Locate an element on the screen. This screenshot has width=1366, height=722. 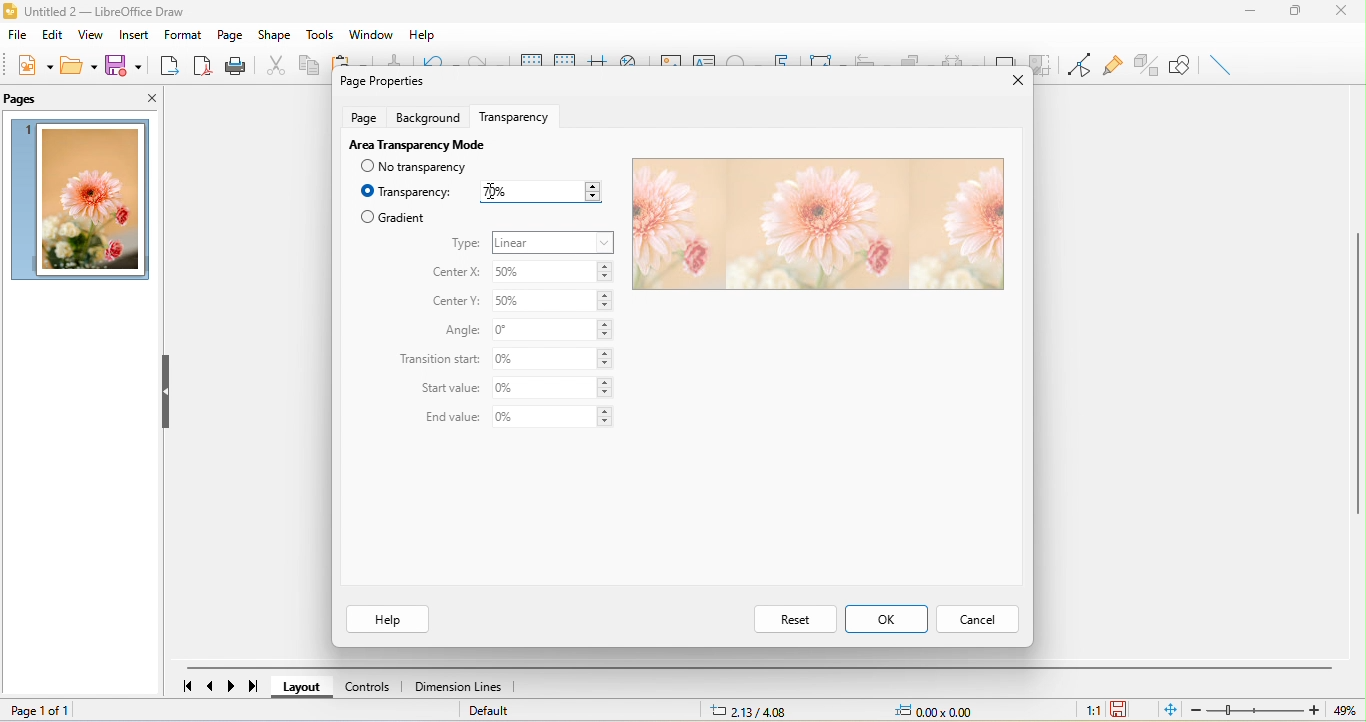
70% transparency set is located at coordinates (539, 192).